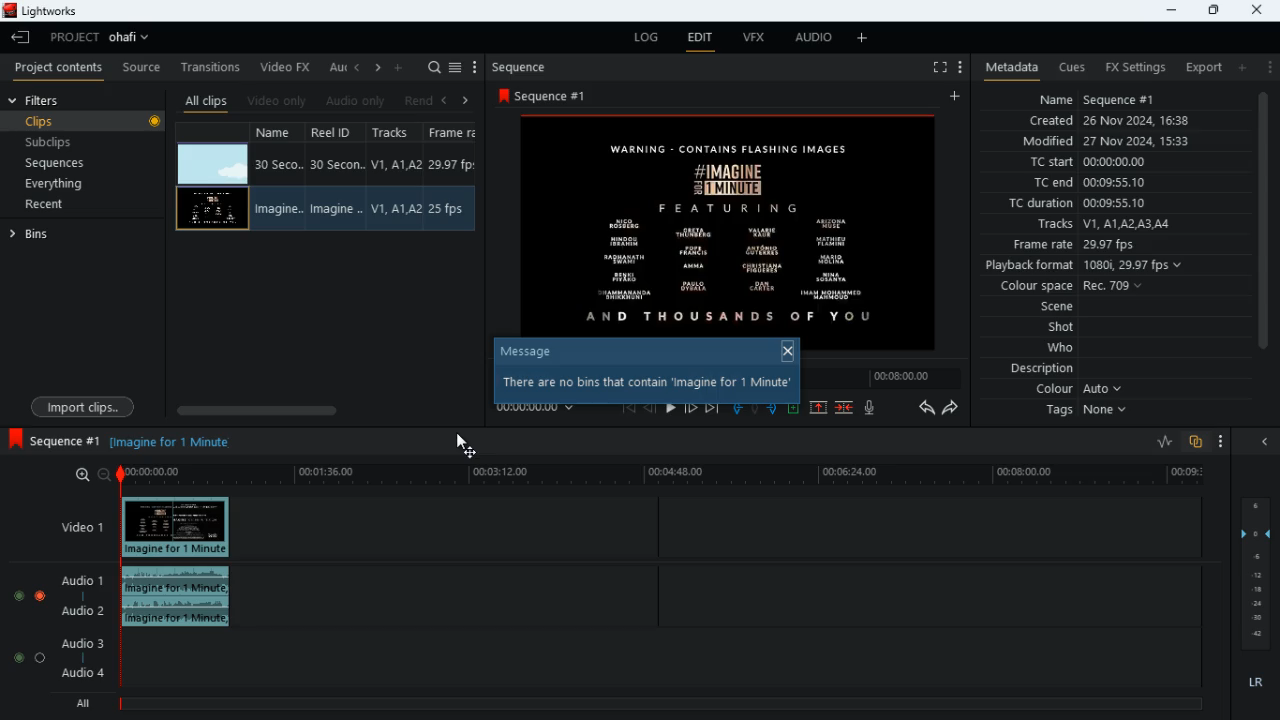 The height and width of the screenshot is (720, 1280). What do you see at coordinates (760, 41) in the screenshot?
I see `vfx` at bounding box center [760, 41].